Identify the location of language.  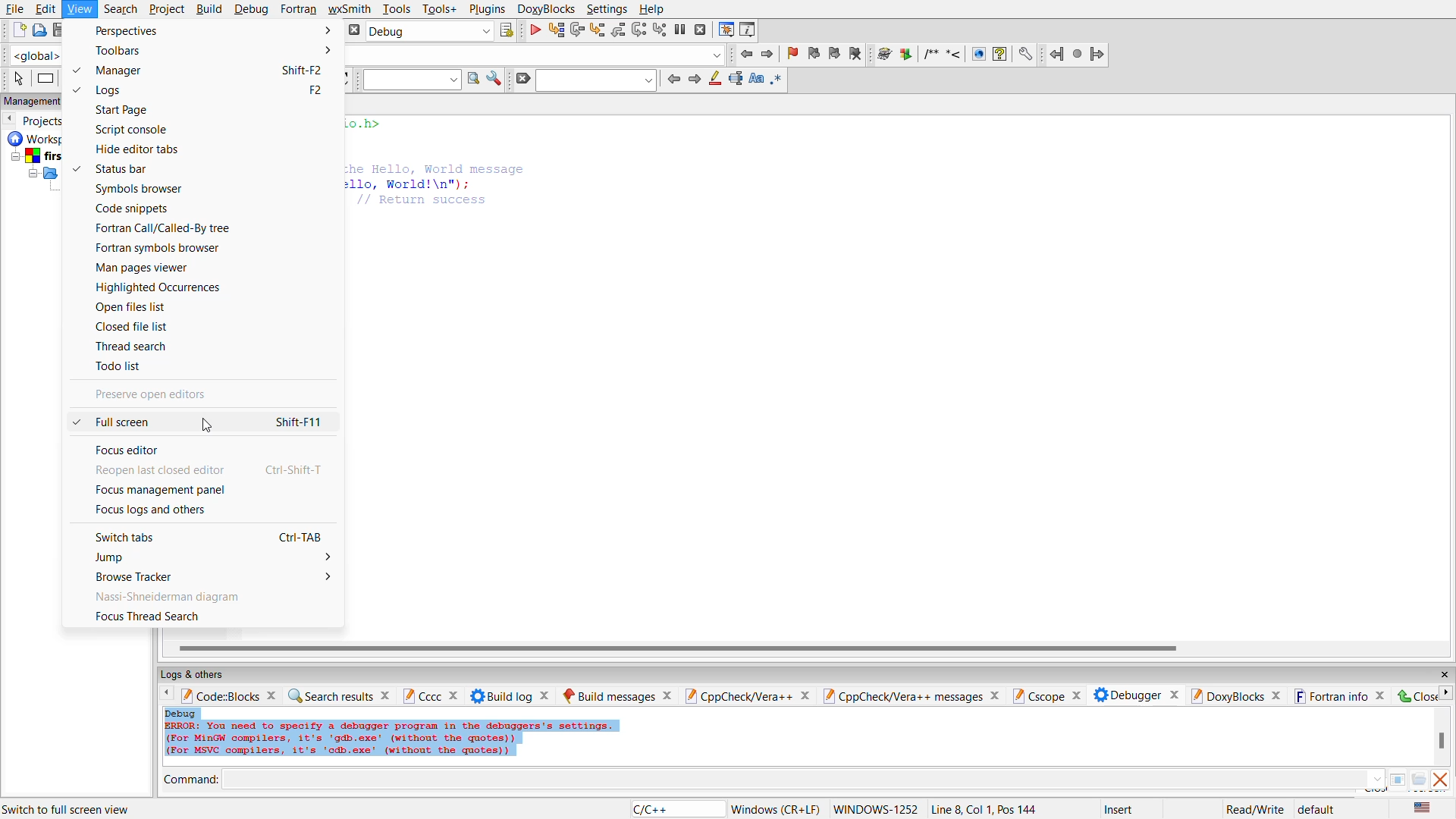
(672, 809).